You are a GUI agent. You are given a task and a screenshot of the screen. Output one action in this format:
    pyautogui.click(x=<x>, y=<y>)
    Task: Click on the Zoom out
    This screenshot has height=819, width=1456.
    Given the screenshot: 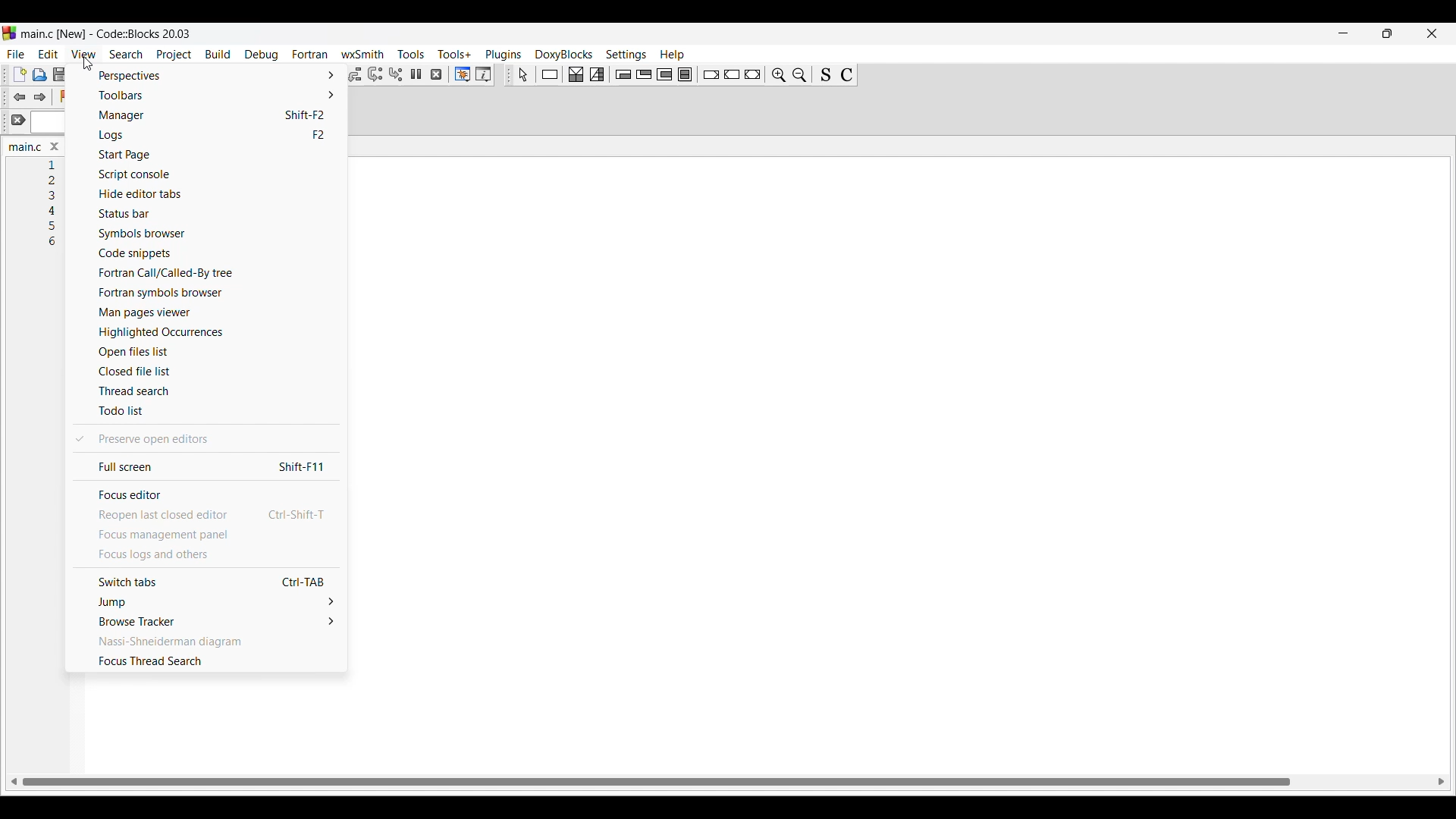 What is the action you would take?
    pyautogui.click(x=800, y=74)
    